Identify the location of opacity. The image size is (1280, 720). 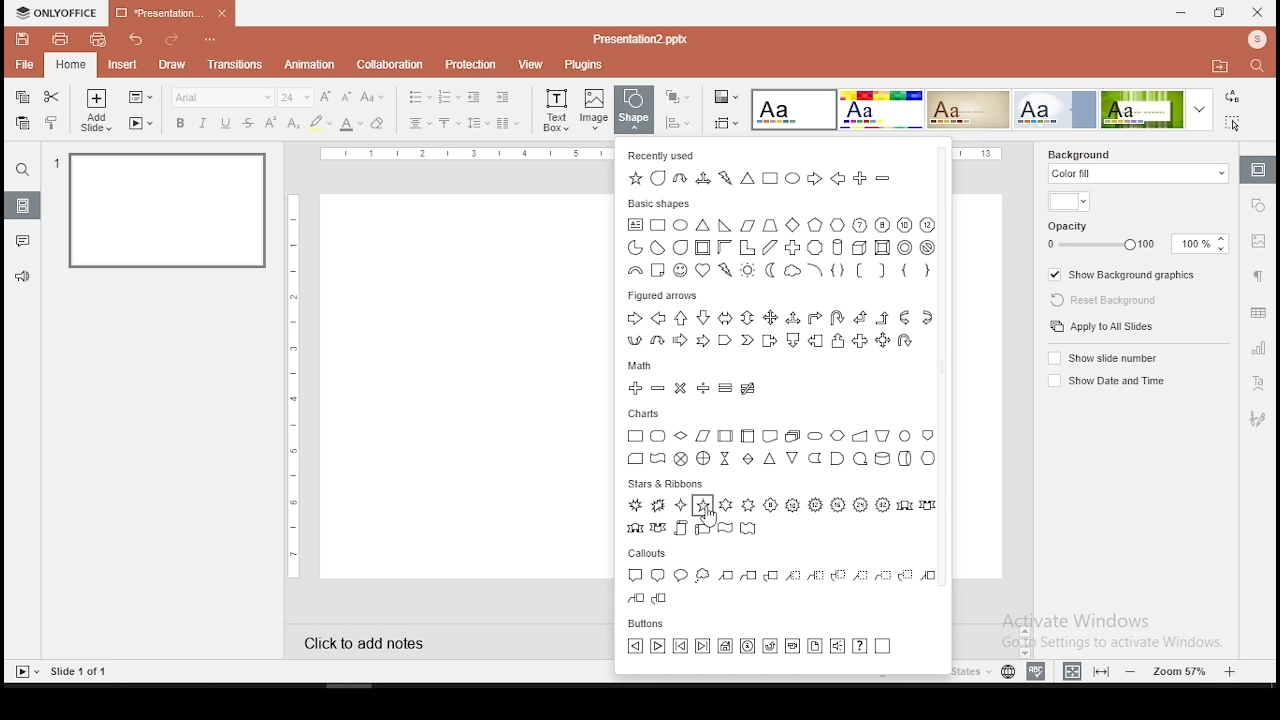
(1135, 236).